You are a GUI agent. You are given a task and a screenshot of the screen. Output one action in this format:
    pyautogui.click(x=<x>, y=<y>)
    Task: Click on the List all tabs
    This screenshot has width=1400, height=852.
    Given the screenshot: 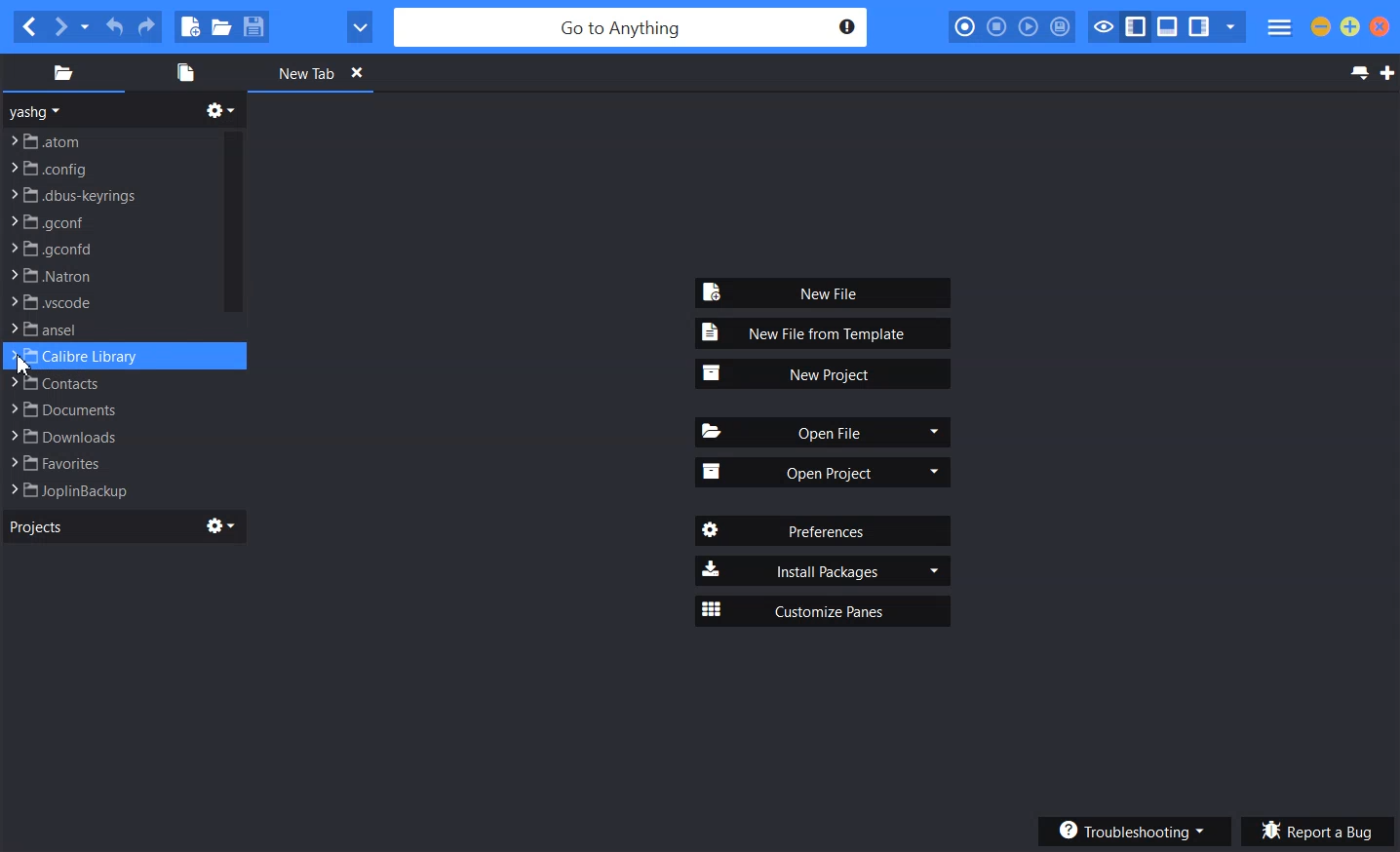 What is the action you would take?
    pyautogui.click(x=1357, y=73)
    